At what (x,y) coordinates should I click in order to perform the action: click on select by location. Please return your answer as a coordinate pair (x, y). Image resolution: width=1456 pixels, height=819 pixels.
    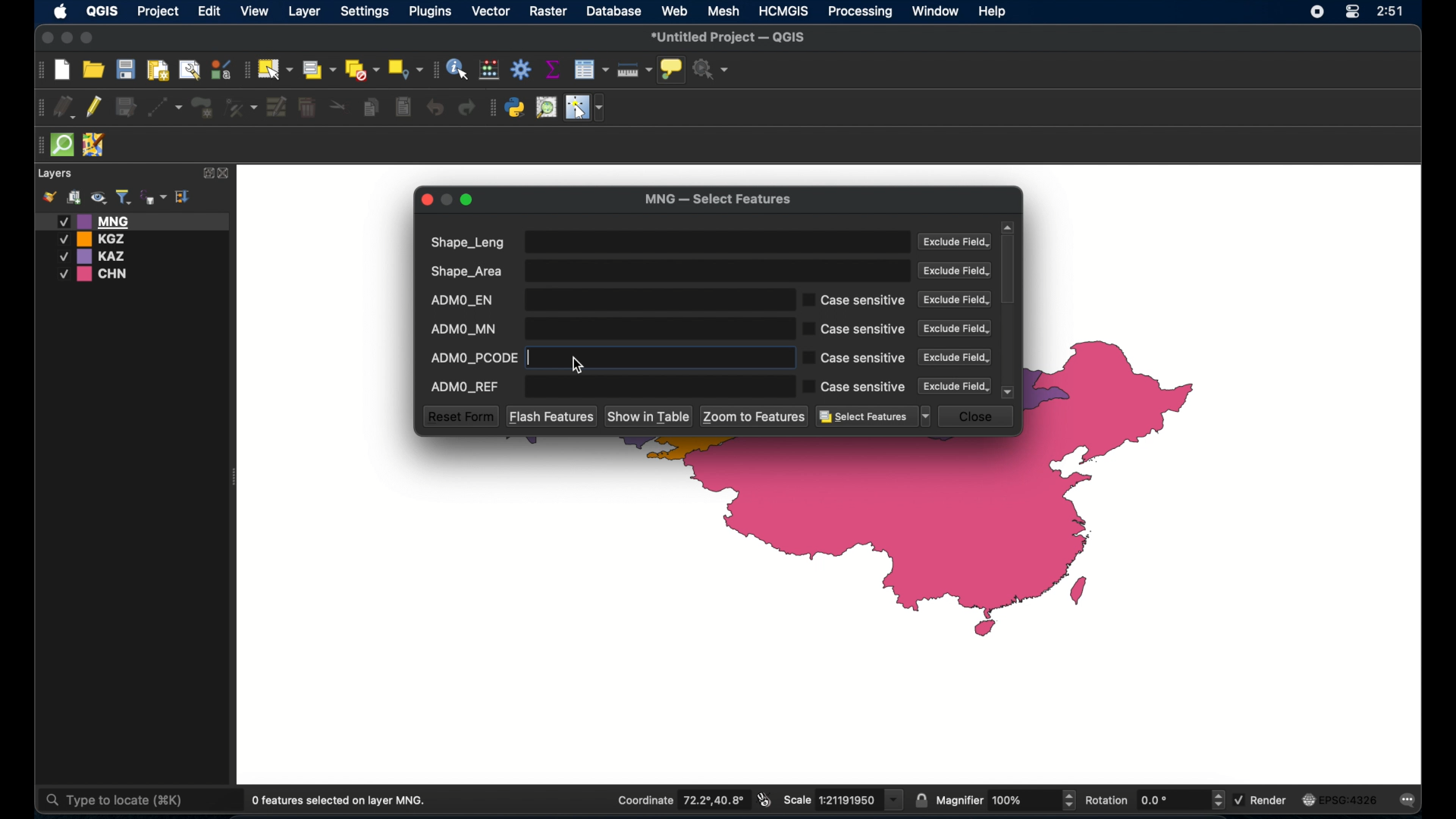
    Looking at the image, I should click on (406, 70).